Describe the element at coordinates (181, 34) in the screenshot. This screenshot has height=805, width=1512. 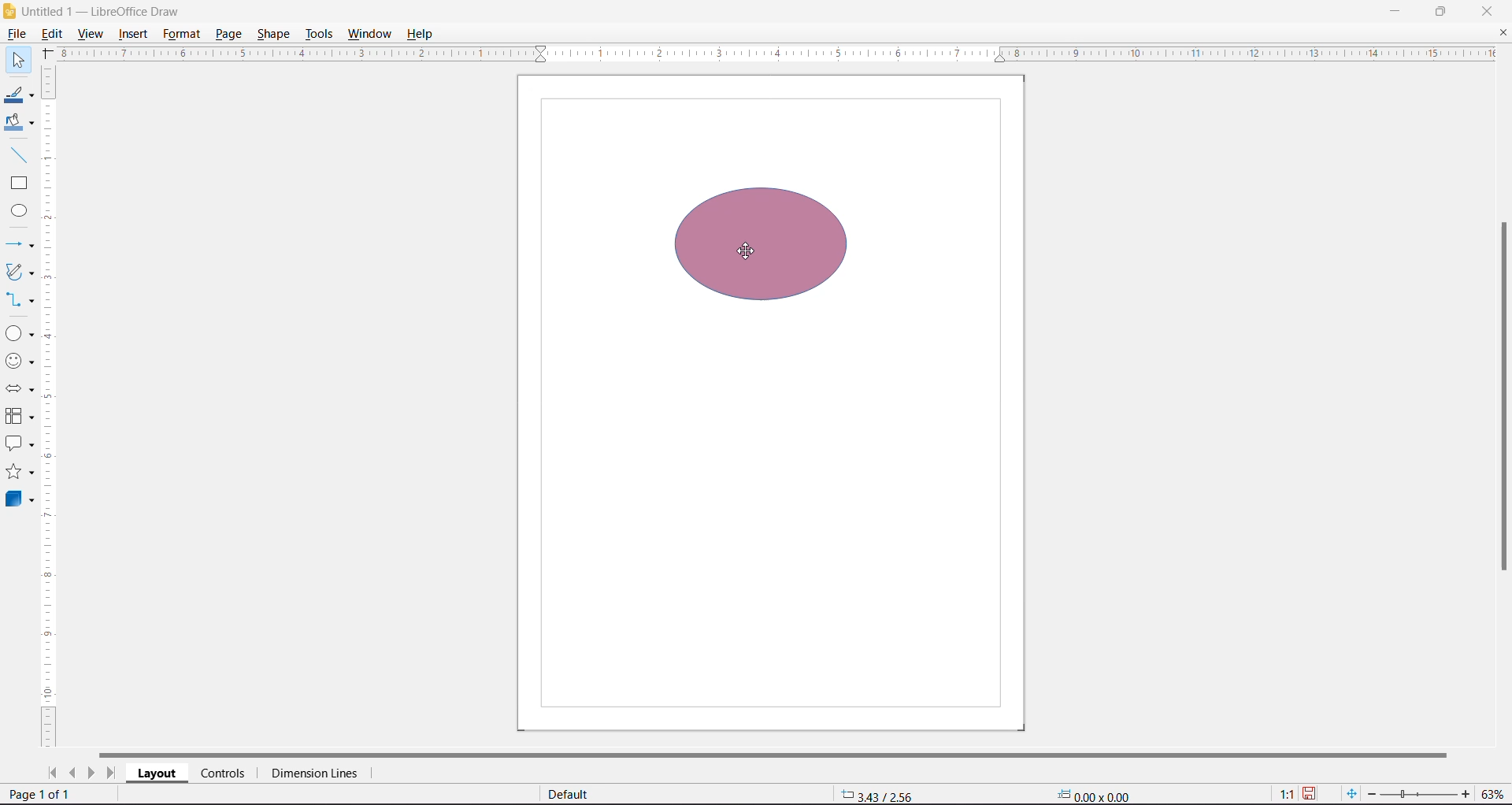
I see `Format` at that location.